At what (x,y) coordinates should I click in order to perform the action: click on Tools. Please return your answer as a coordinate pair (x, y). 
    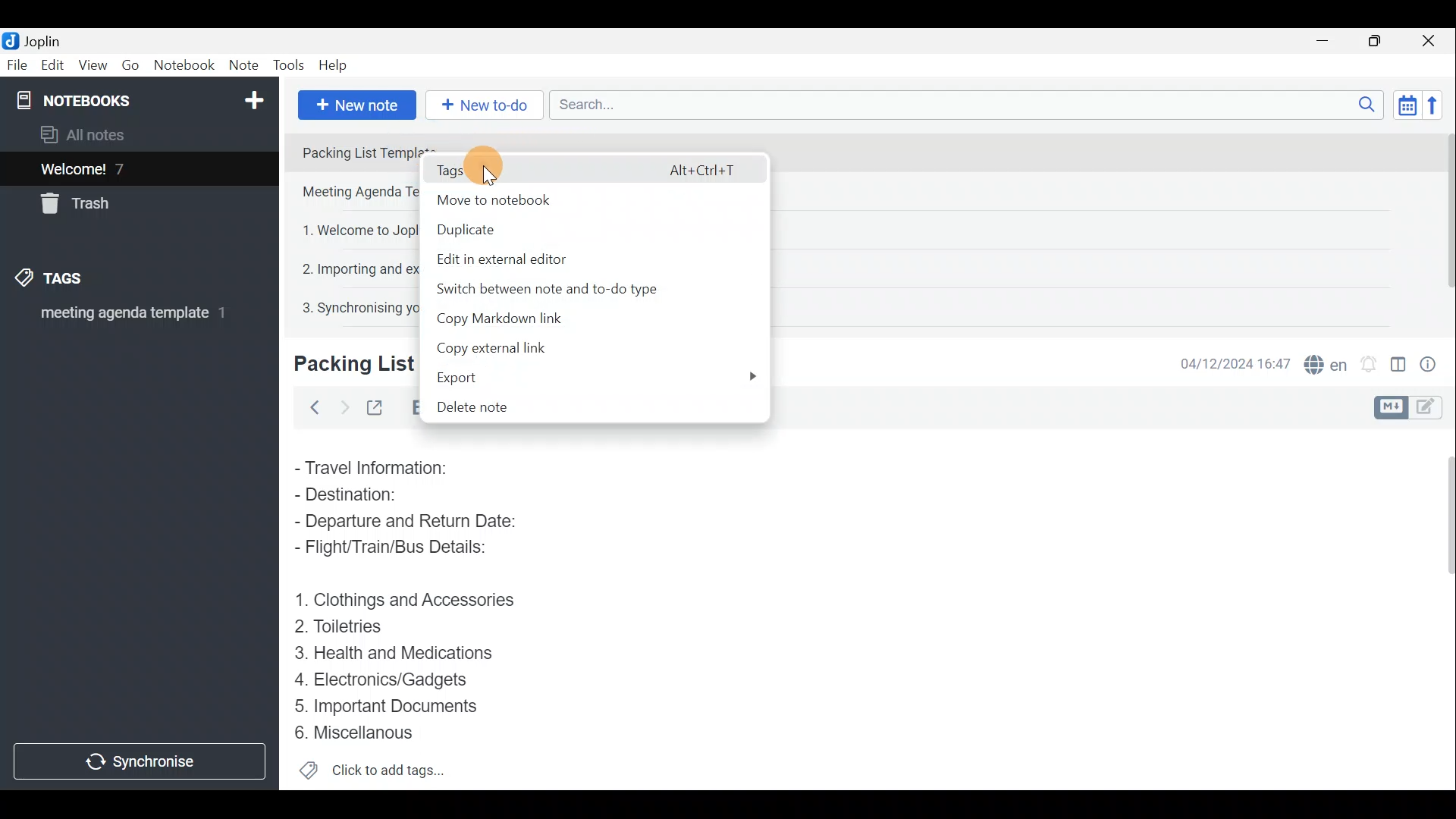
    Looking at the image, I should click on (290, 66).